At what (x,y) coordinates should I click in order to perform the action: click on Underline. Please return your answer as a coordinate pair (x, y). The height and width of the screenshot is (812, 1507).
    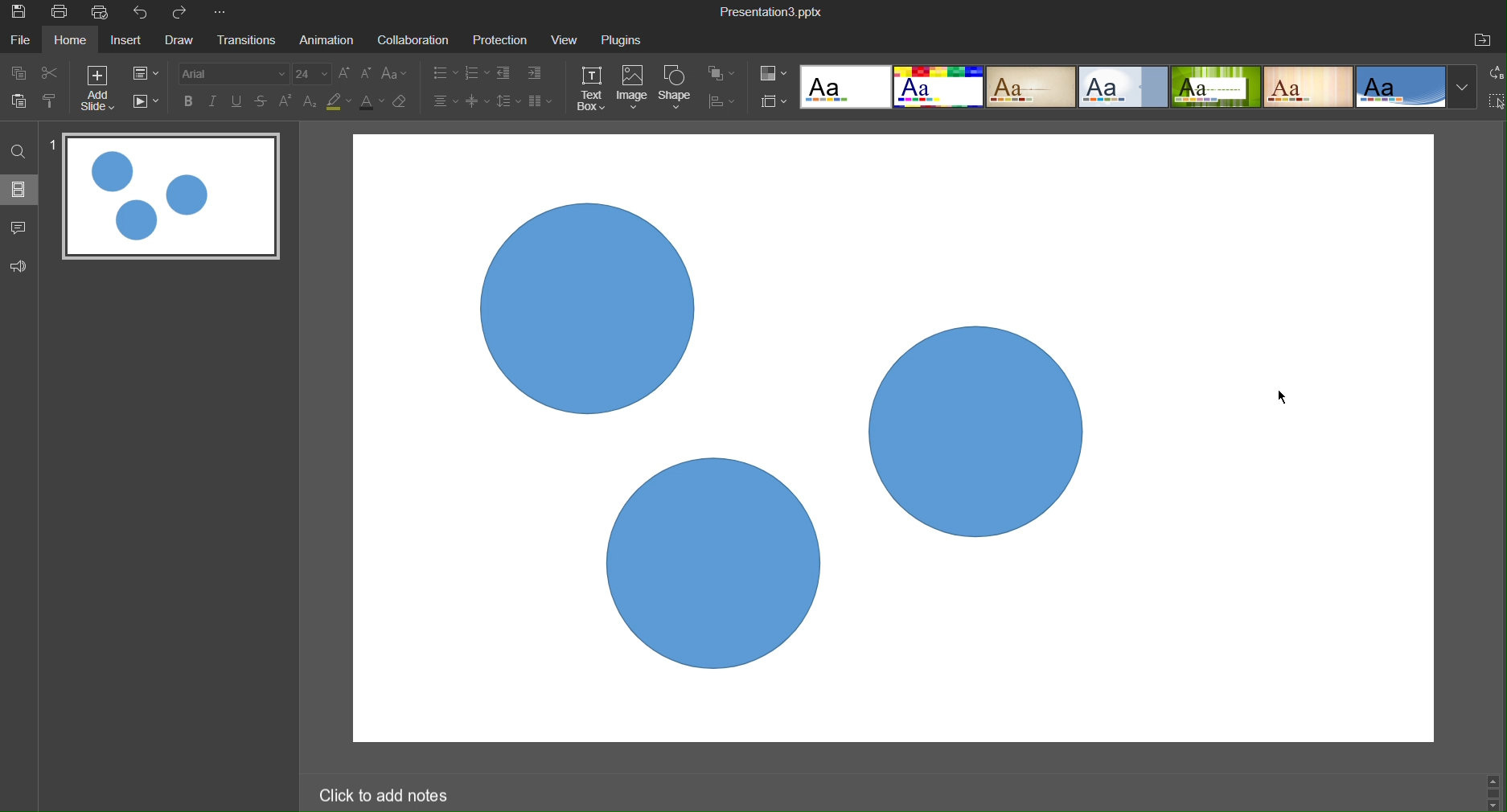
    Looking at the image, I should click on (240, 101).